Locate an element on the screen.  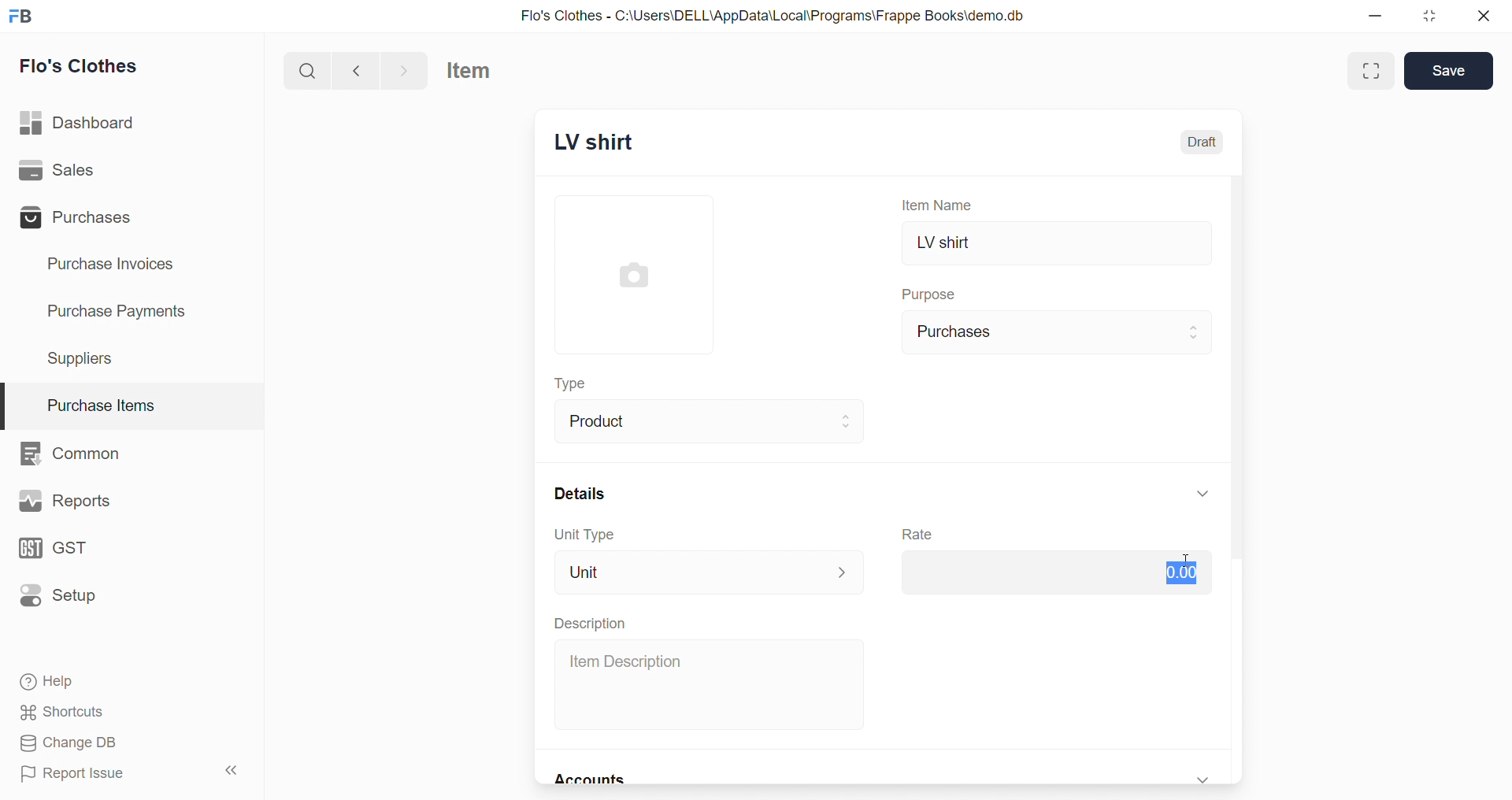
minimize is located at coordinates (1381, 16).